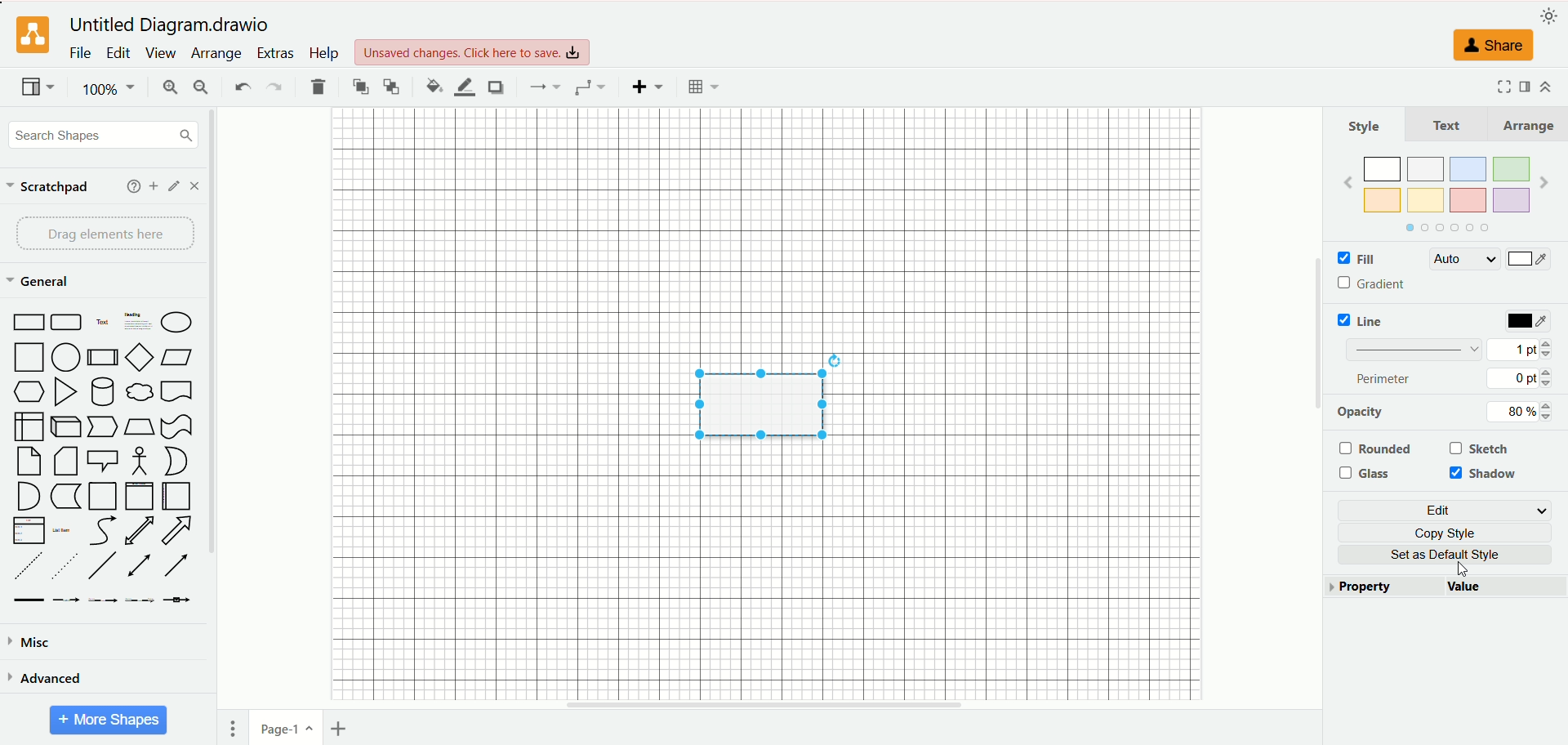  What do you see at coordinates (1452, 533) in the screenshot?
I see `copy style` at bounding box center [1452, 533].